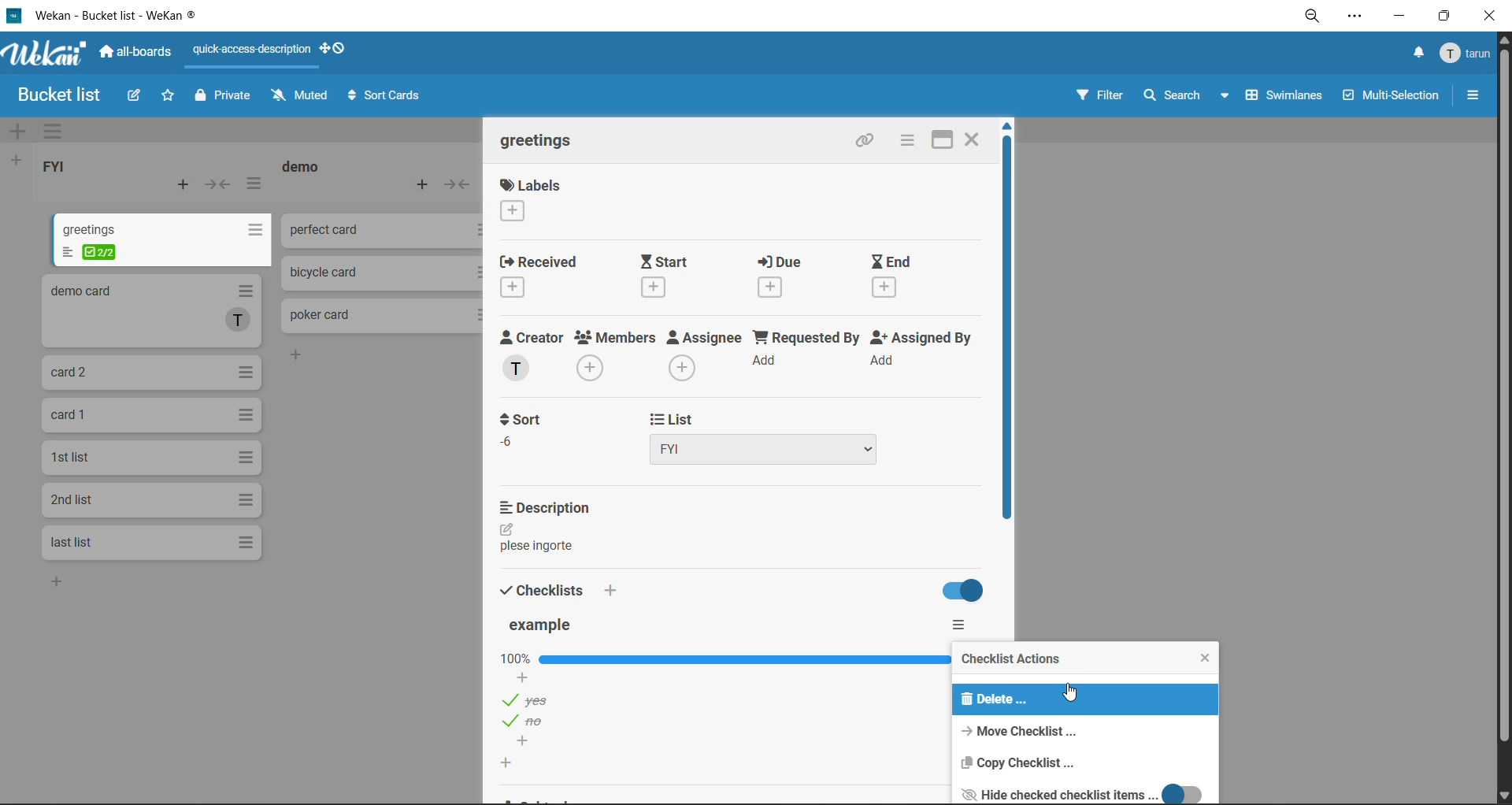 Image resolution: width=1512 pixels, height=805 pixels. Describe the element at coordinates (1021, 730) in the screenshot. I see `move checklist` at that location.